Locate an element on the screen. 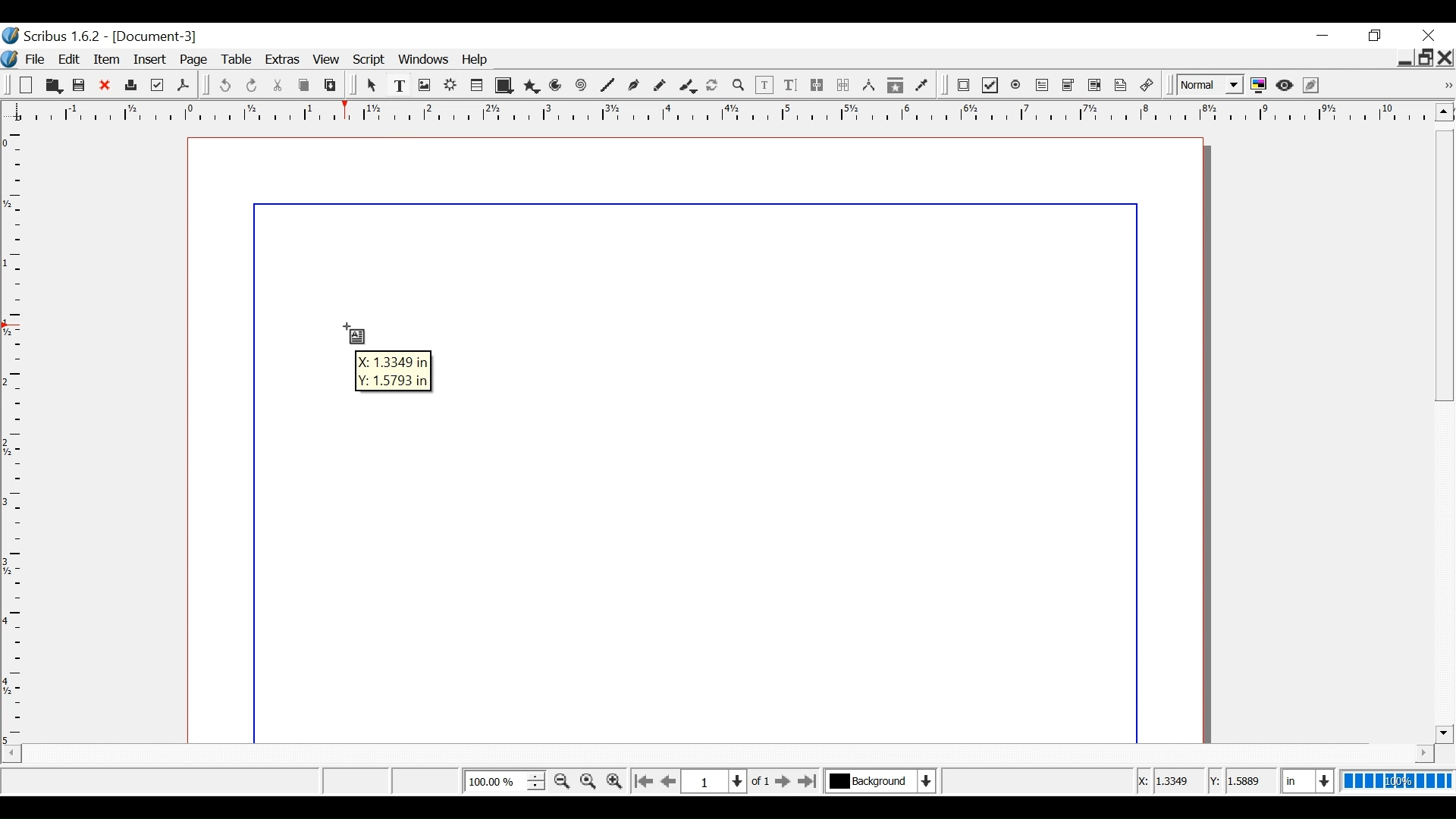 The image size is (1456, 819). Close is located at coordinates (1431, 36).